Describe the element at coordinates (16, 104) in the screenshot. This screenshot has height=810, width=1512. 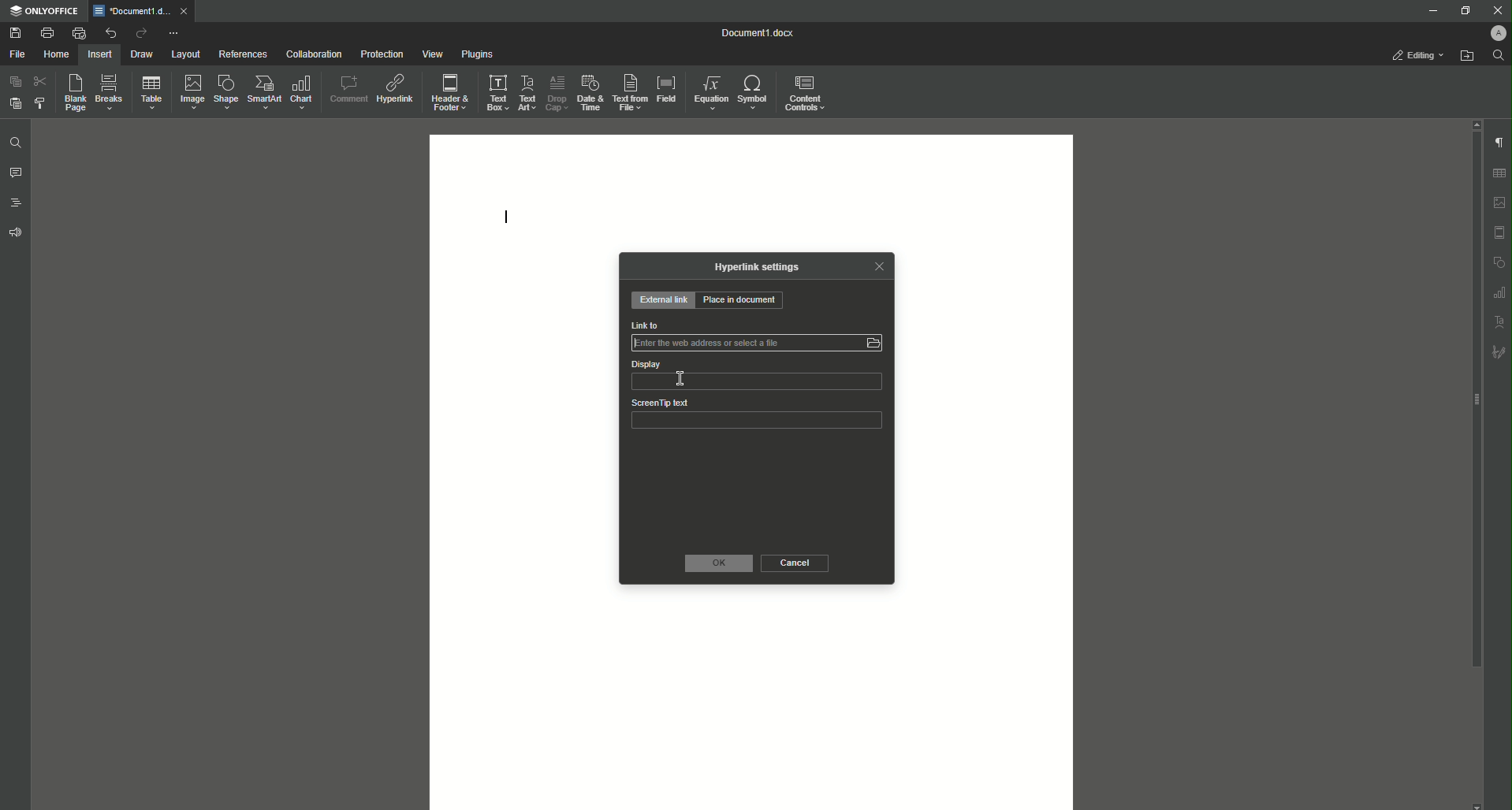
I see `Paste` at that location.